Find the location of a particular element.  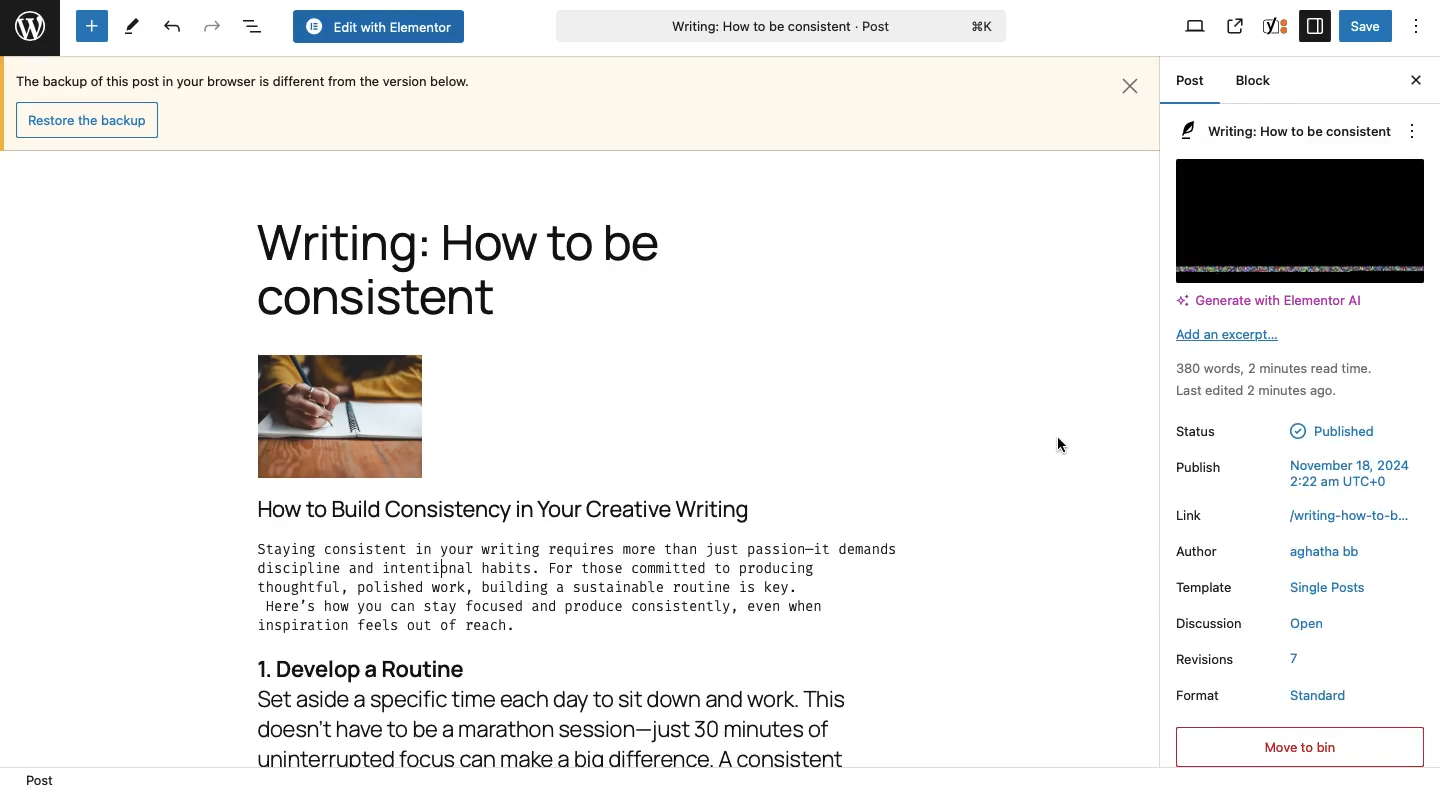

Tools is located at coordinates (130, 27).